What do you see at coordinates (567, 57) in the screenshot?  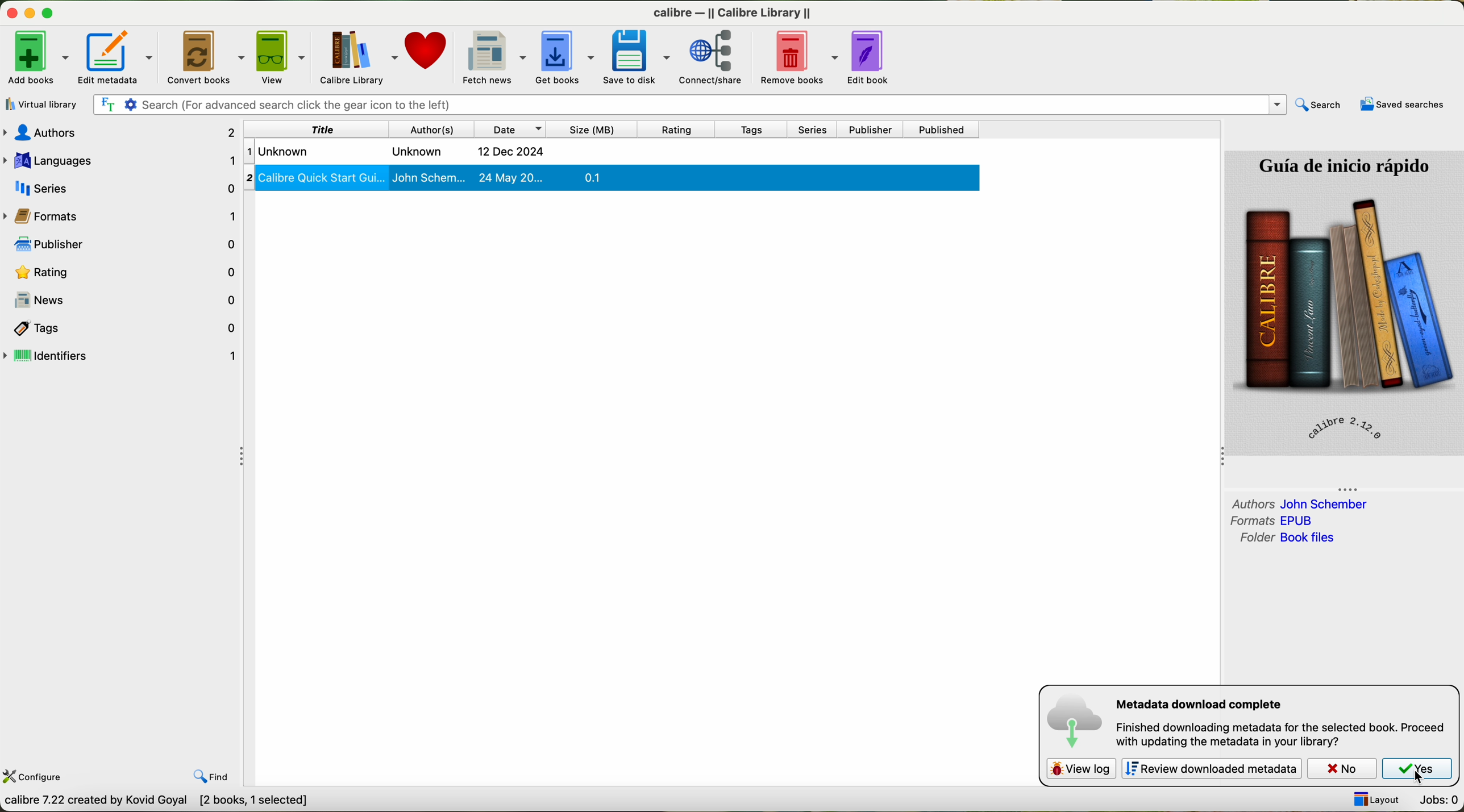 I see `get books` at bounding box center [567, 57].